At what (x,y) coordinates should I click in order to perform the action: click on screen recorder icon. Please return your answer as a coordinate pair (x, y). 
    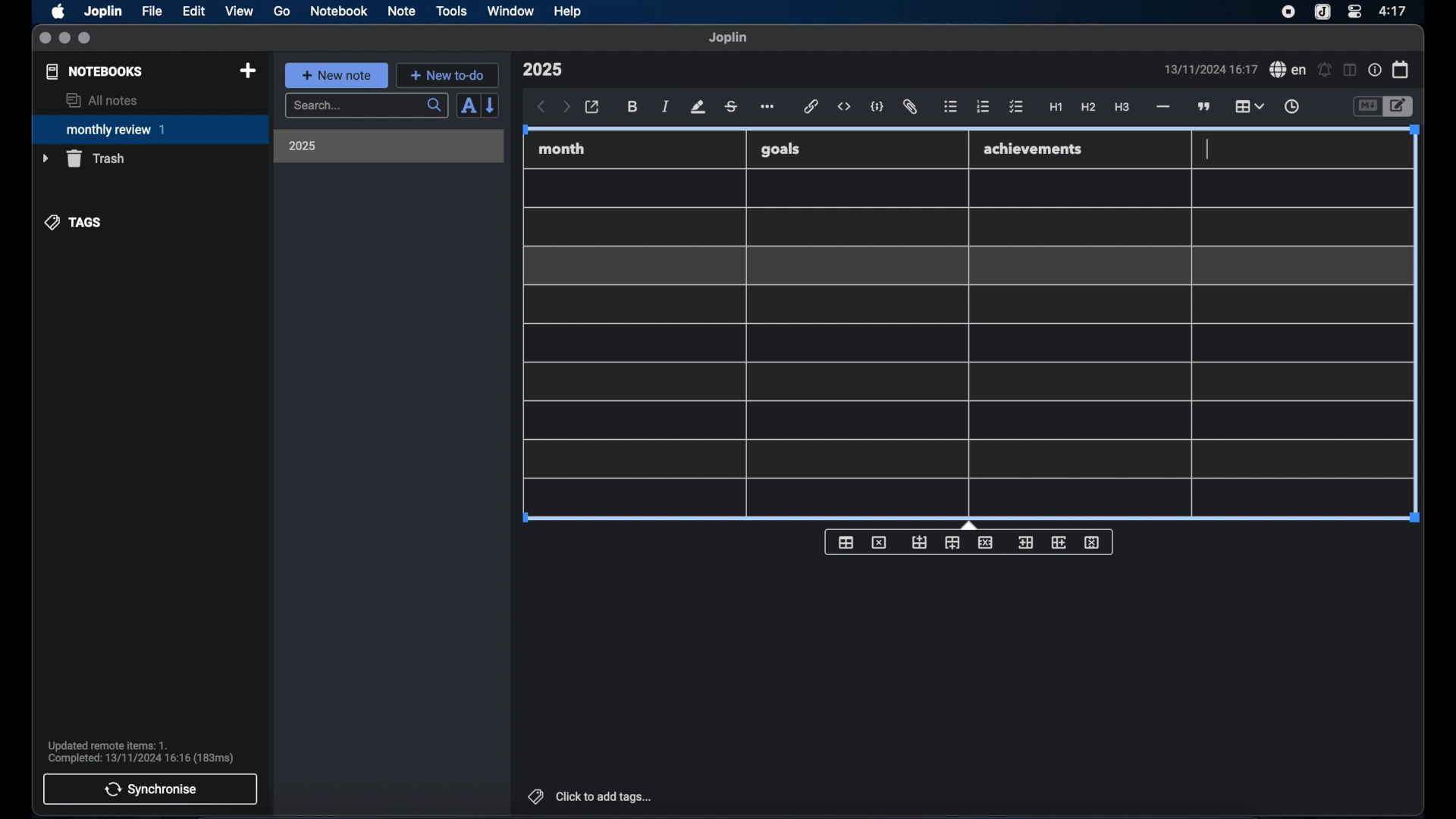
    Looking at the image, I should click on (1288, 12).